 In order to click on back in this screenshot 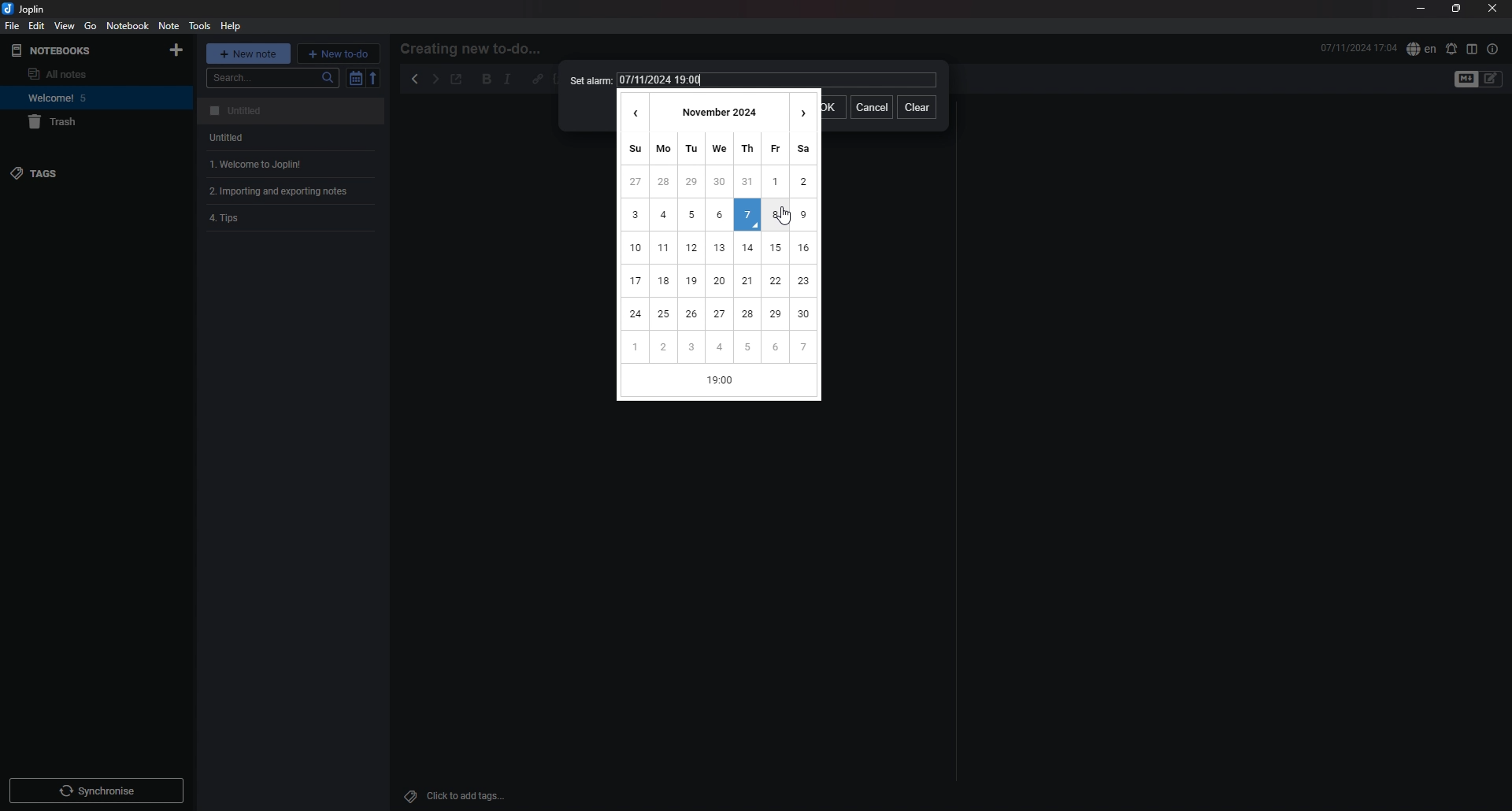, I will do `click(415, 79)`.